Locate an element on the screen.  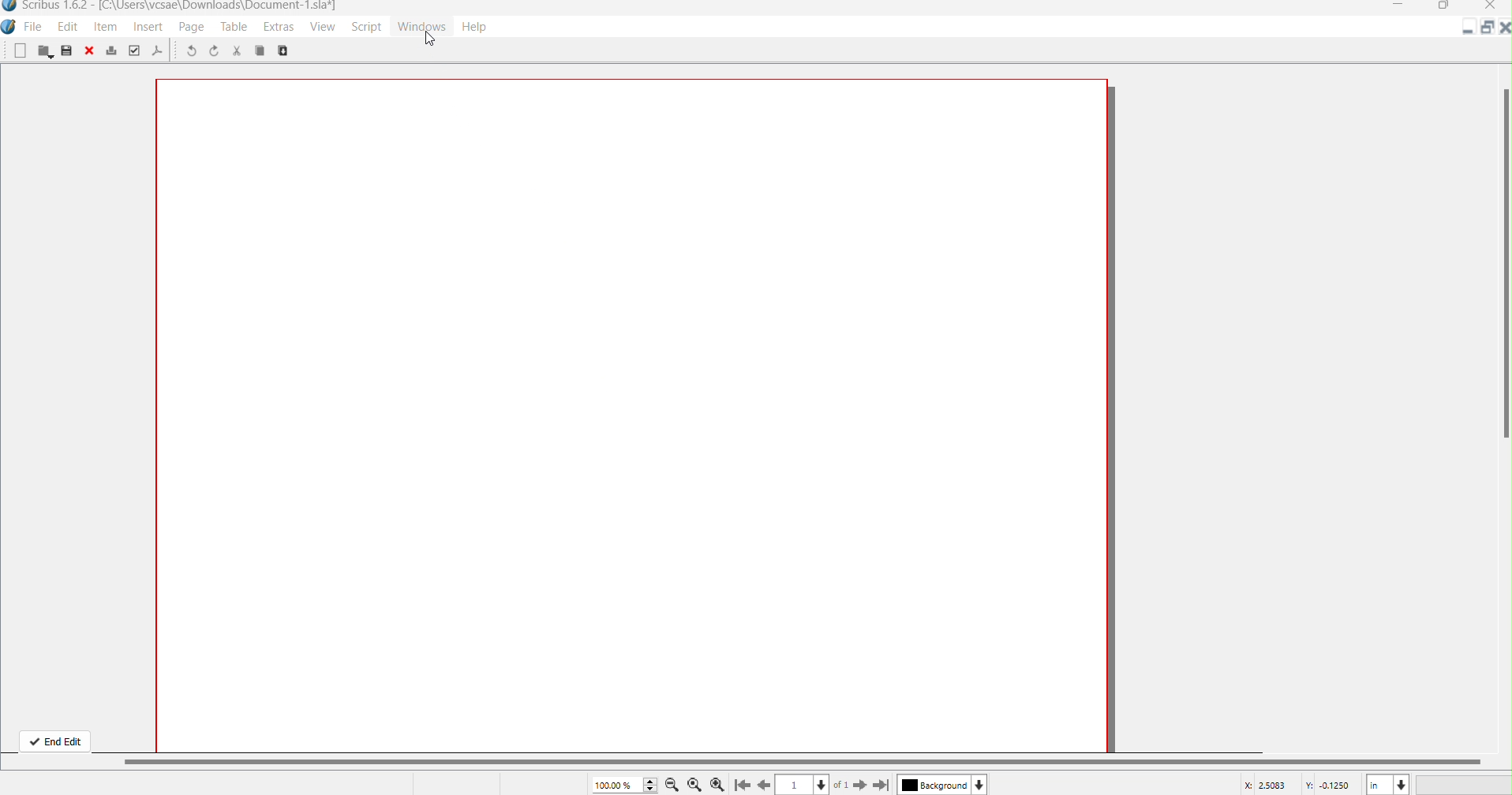
foward is located at coordinates (860, 784).